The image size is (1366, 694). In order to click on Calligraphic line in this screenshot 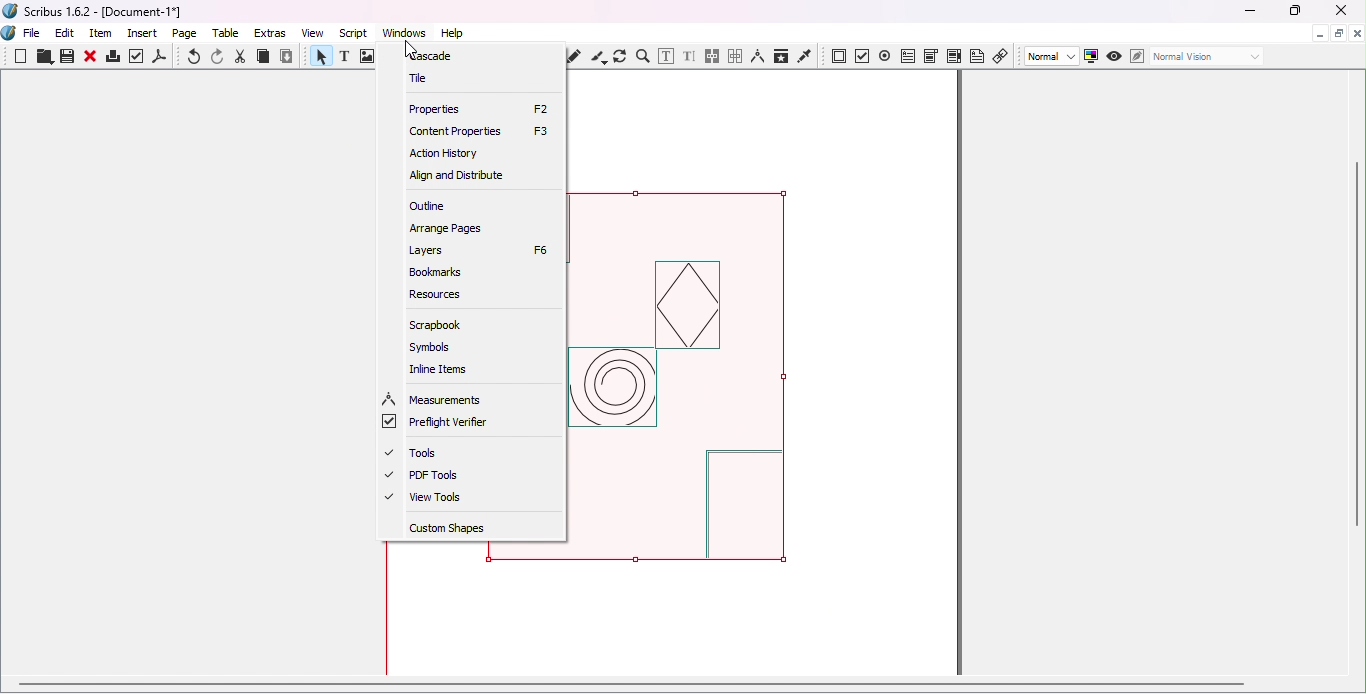, I will do `click(598, 57)`.